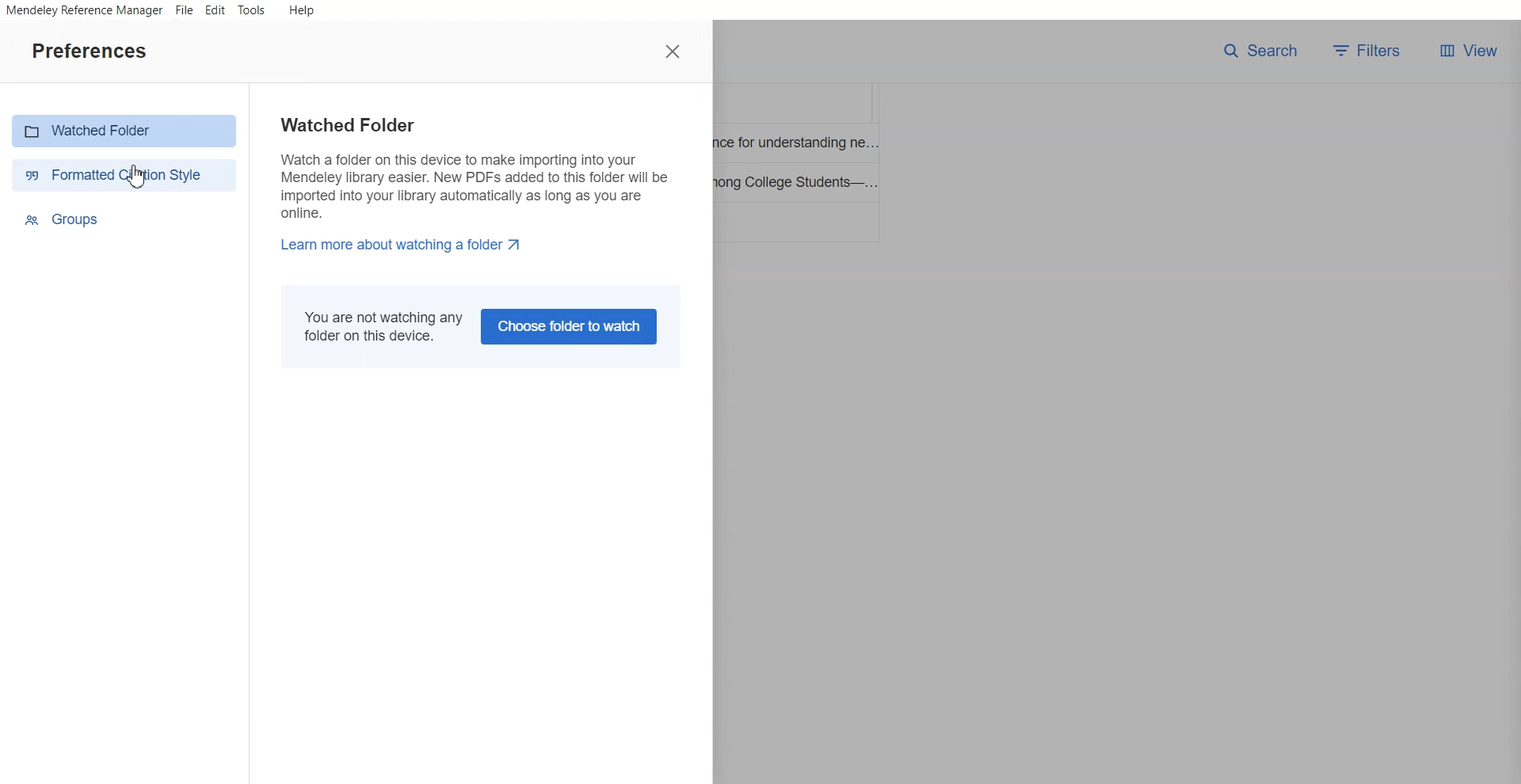 Image resolution: width=1521 pixels, height=784 pixels. What do you see at coordinates (89, 50) in the screenshot?
I see `Preferences` at bounding box center [89, 50].